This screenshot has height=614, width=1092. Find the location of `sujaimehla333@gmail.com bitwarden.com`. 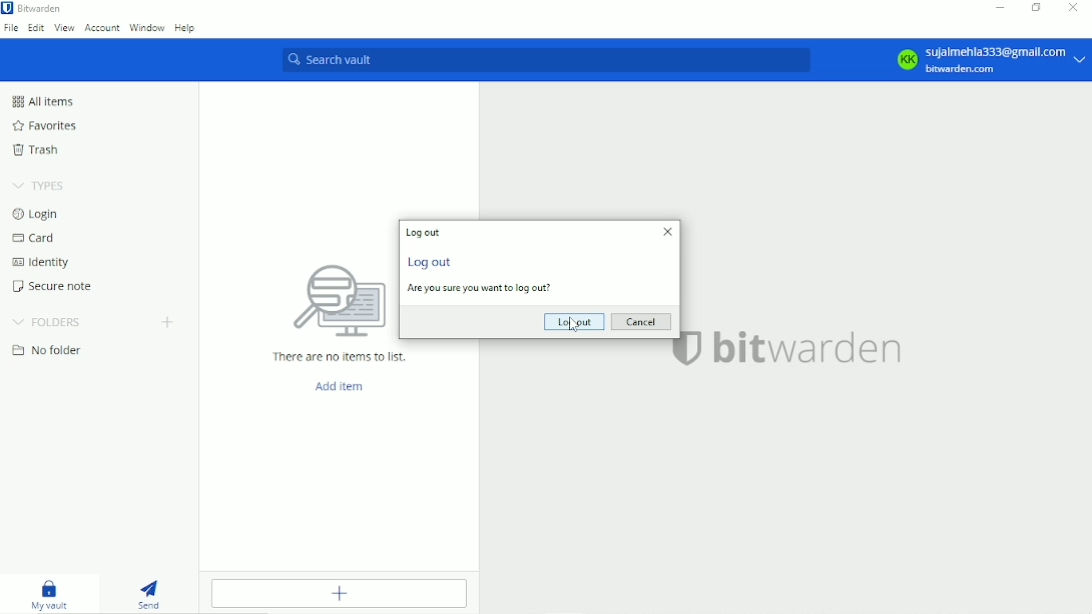

sujaimehla333@gmail.com bitwarden.com is located at coordinates (1008, 60).